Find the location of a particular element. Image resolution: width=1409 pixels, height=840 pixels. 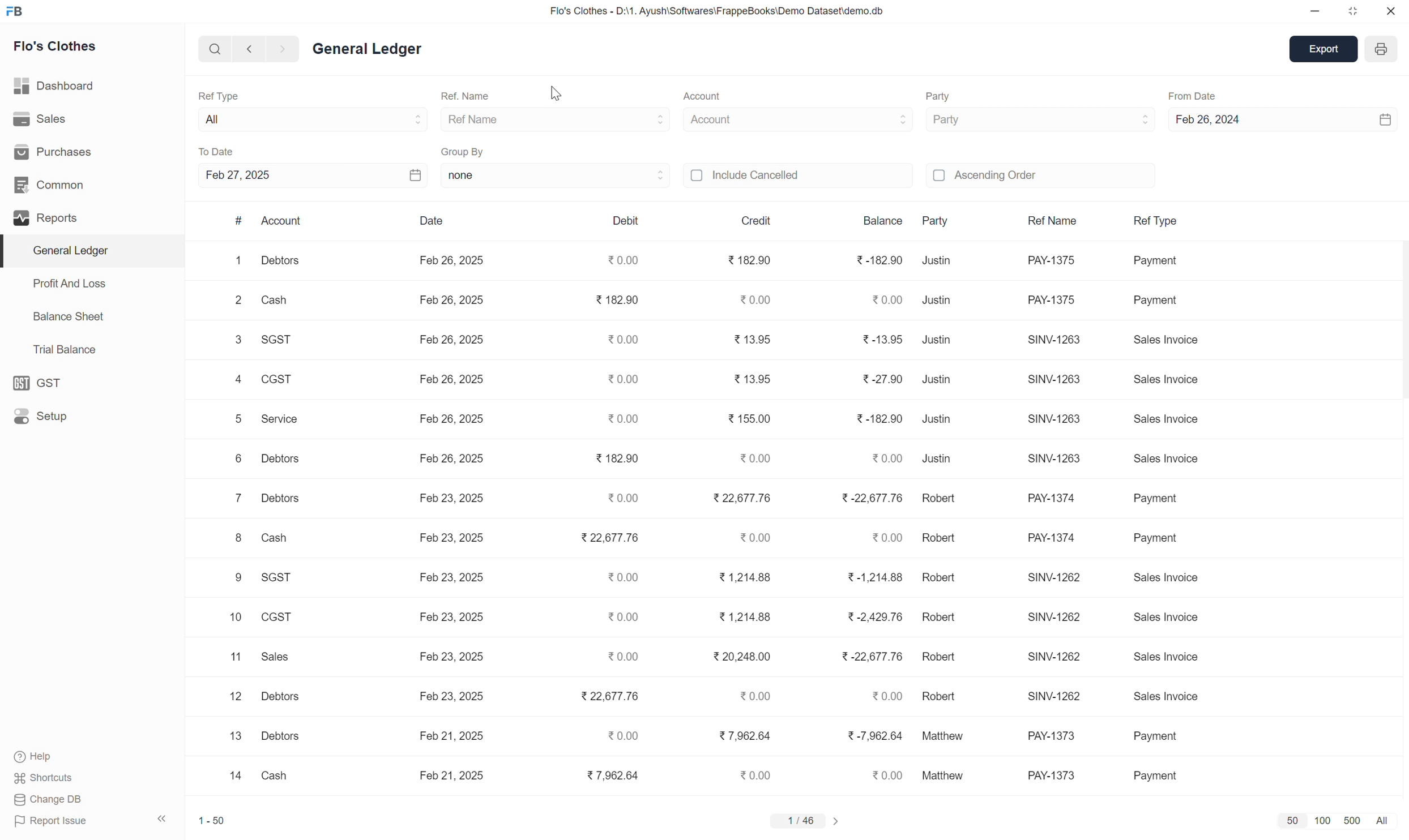

trial balance is located at coordinates (65, 349).